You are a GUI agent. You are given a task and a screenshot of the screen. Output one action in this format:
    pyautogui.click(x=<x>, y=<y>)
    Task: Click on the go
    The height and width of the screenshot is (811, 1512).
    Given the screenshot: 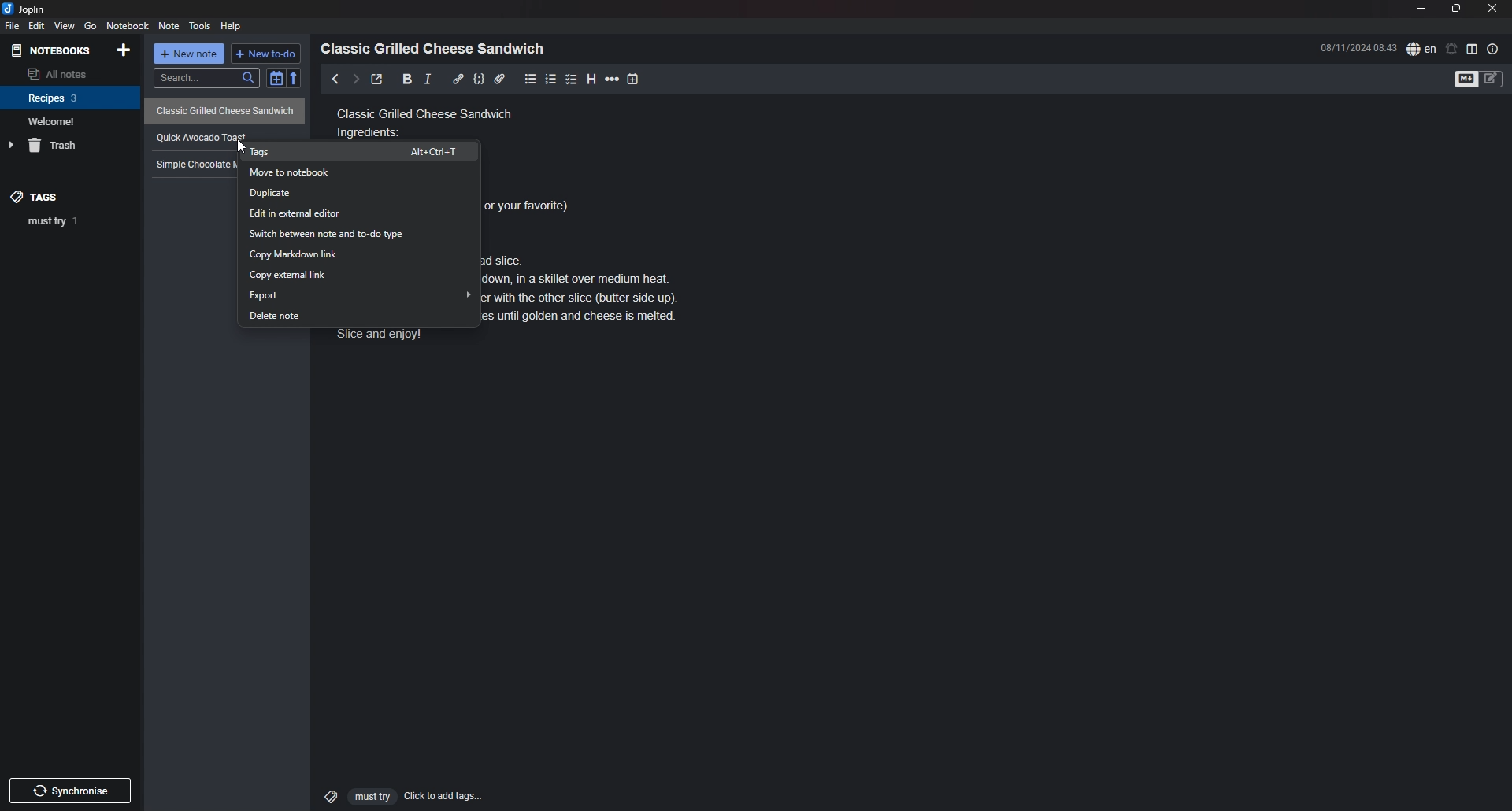 What is the action you would take?
    pyautogui.click(x=91, y=25)
    